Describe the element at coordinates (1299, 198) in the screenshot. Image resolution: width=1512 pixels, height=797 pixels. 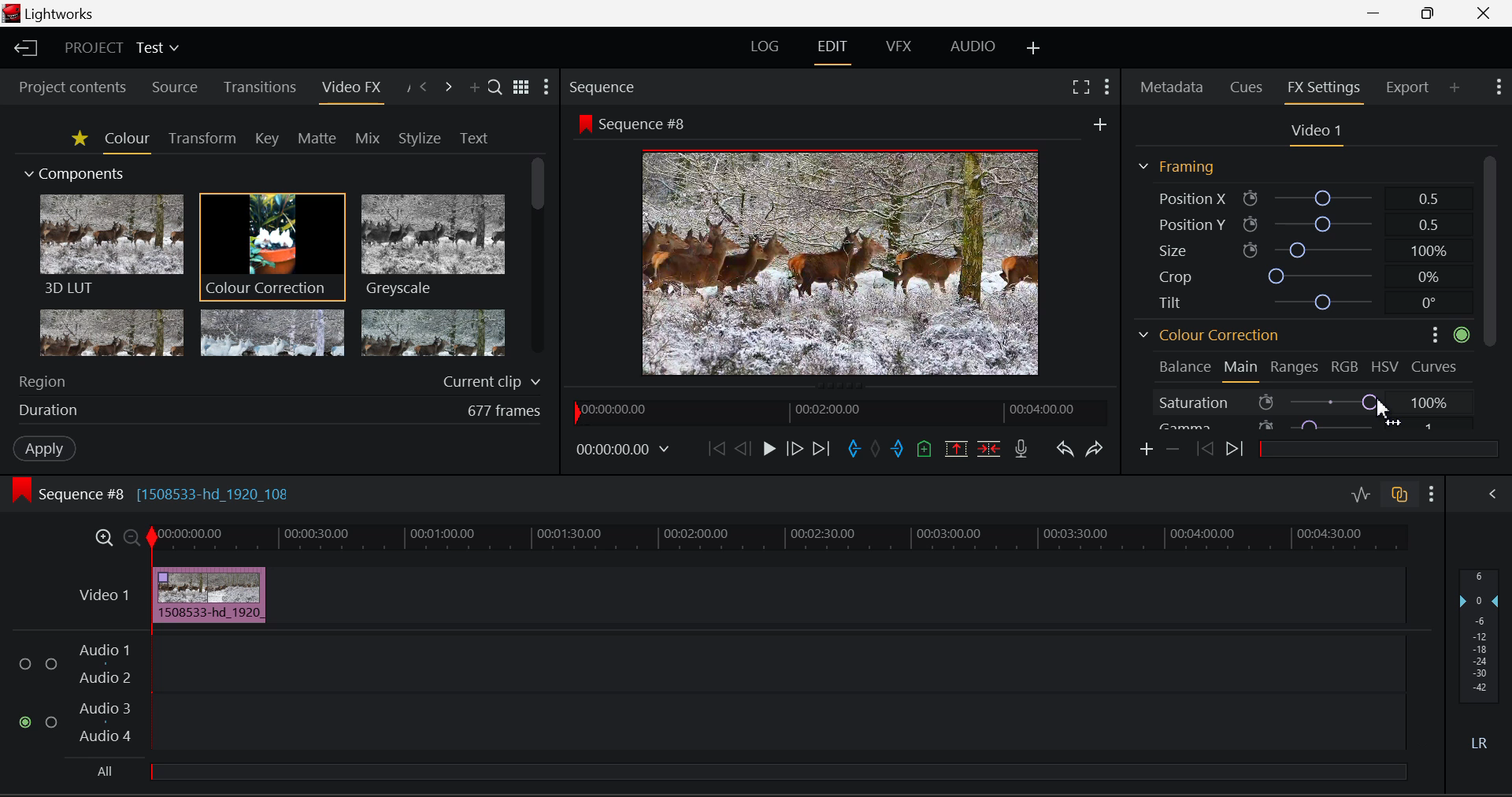
I see `Position X` at that location.